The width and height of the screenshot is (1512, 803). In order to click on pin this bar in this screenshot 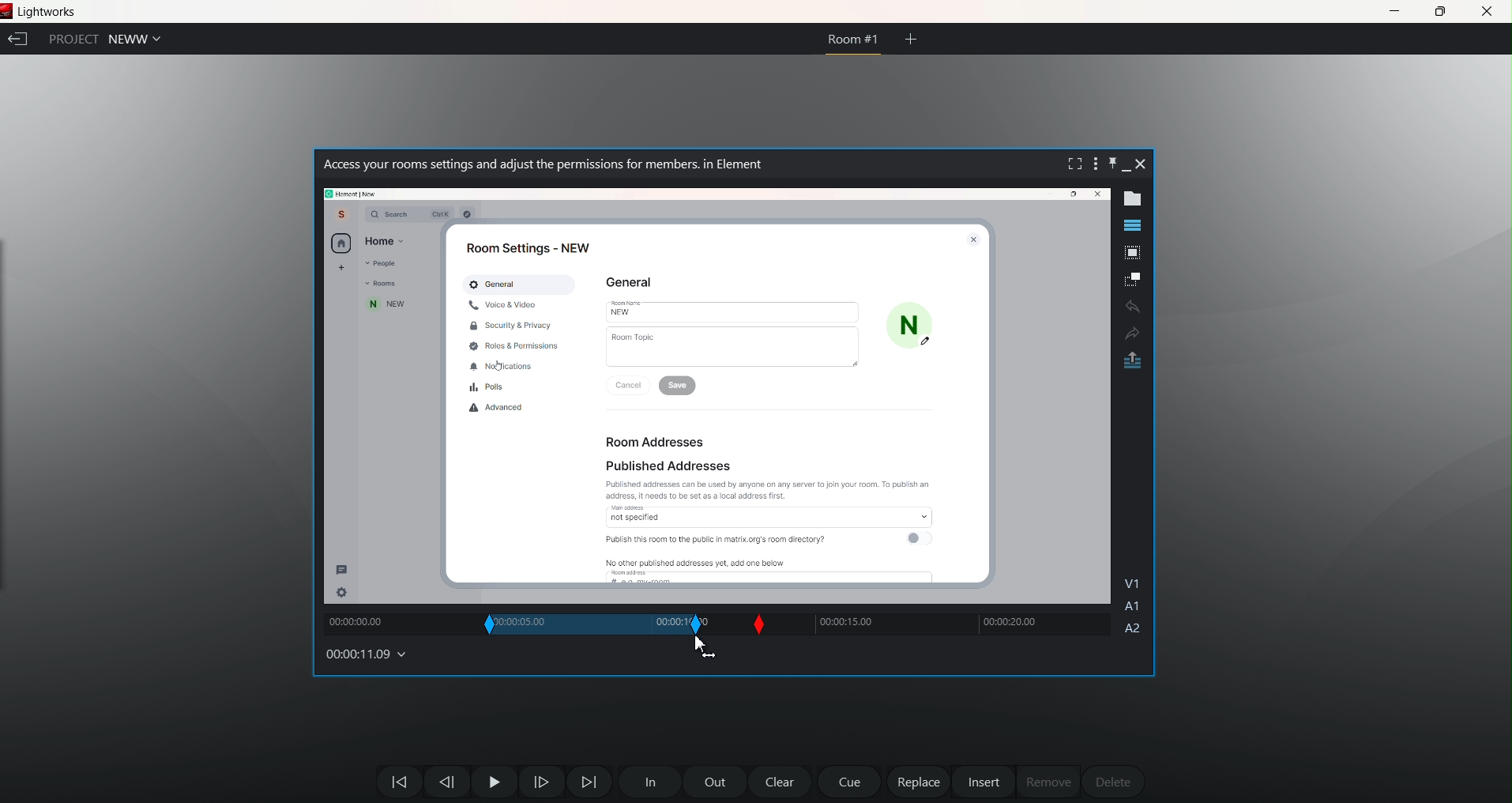, I will do `click(1111, 168)`.